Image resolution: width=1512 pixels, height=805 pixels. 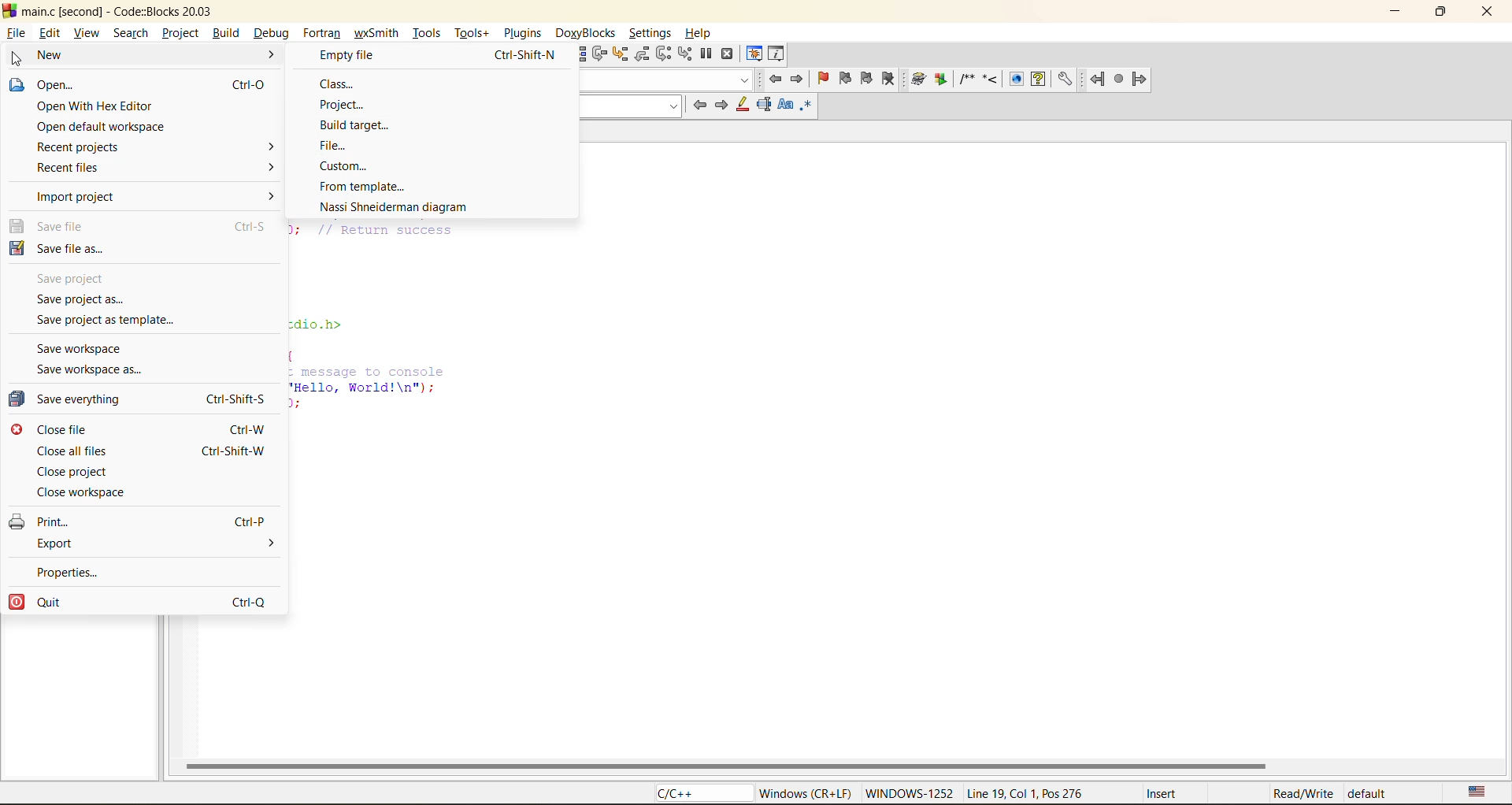 What do you see at coordinates (358, 123) in the screenshot?
I see `build target` at bounding box center [358, 123].